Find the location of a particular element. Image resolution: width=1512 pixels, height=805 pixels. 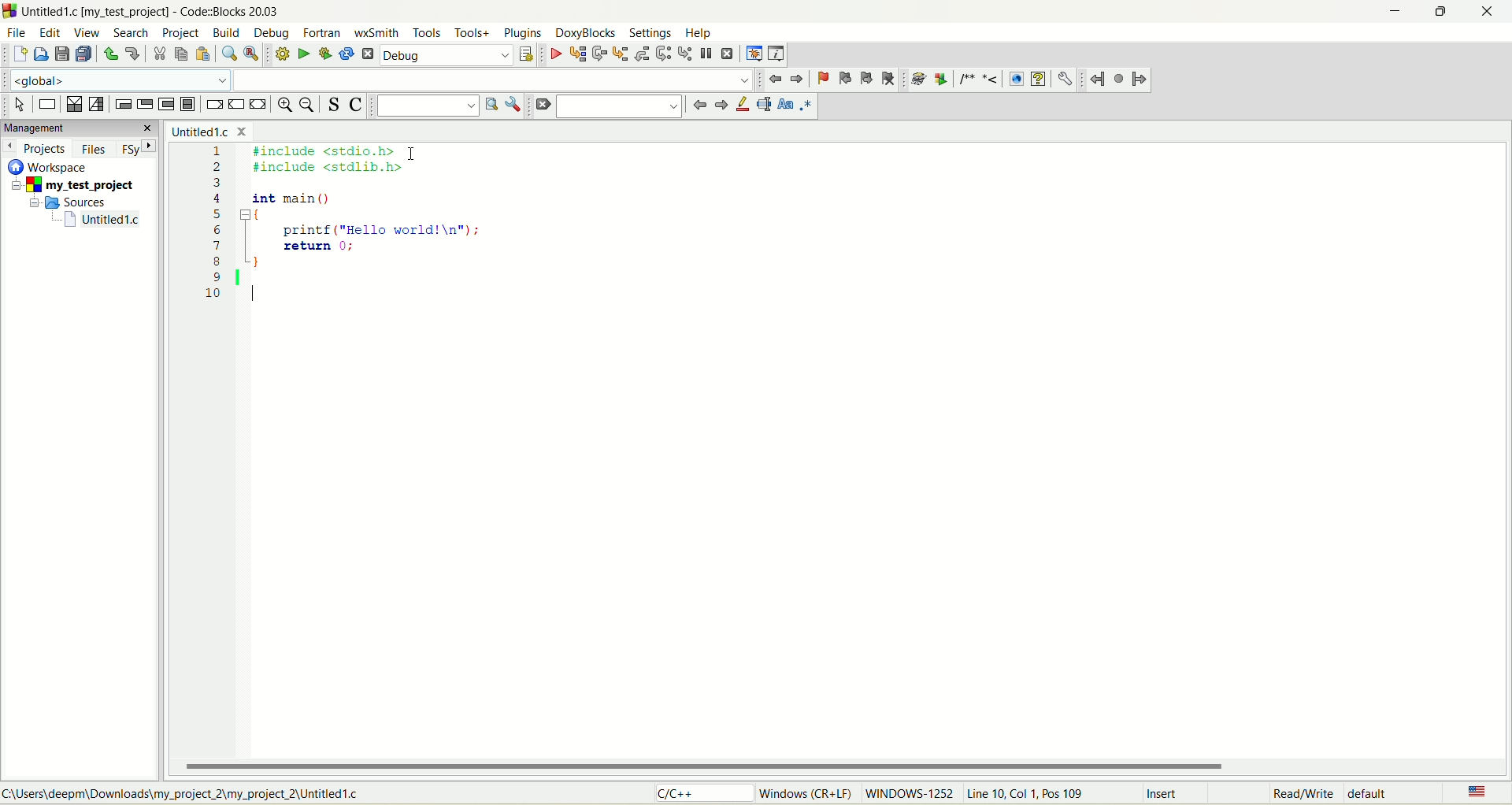

view is located at coordinates (87, 35).